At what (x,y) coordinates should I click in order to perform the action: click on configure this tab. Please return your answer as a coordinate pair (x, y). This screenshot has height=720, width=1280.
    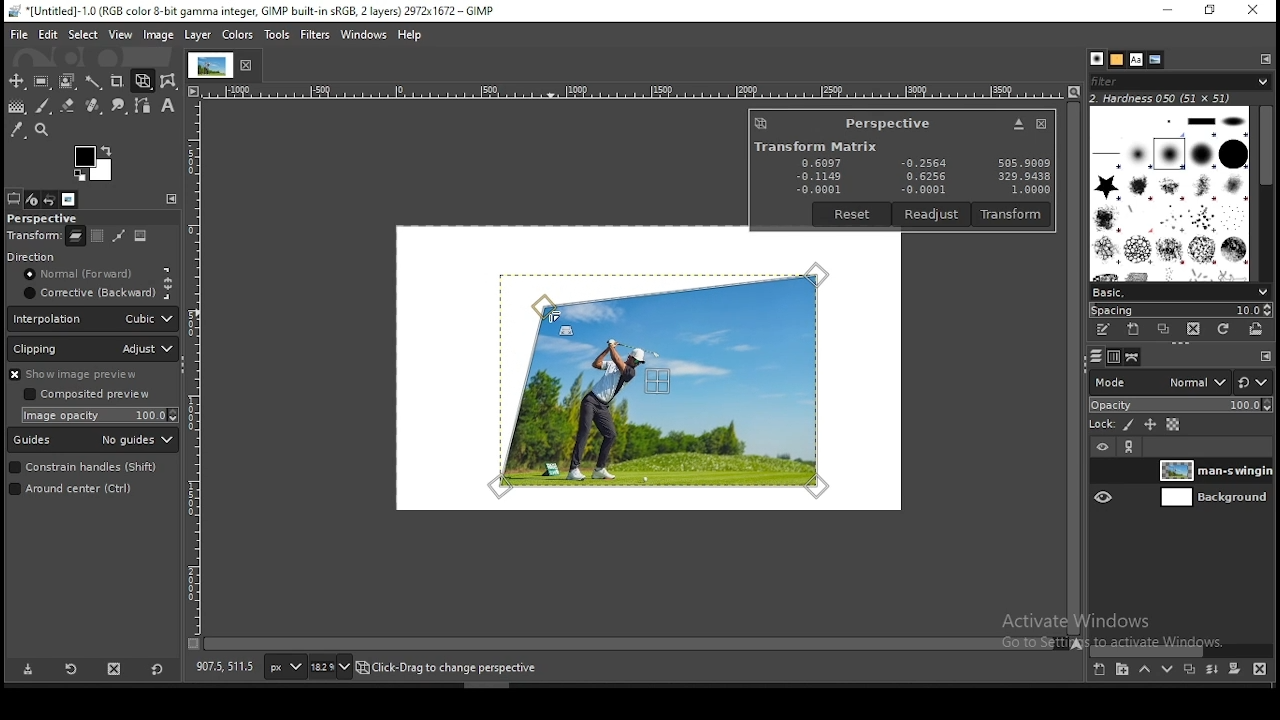
    Looking at the image, I should click on (1263, 355).